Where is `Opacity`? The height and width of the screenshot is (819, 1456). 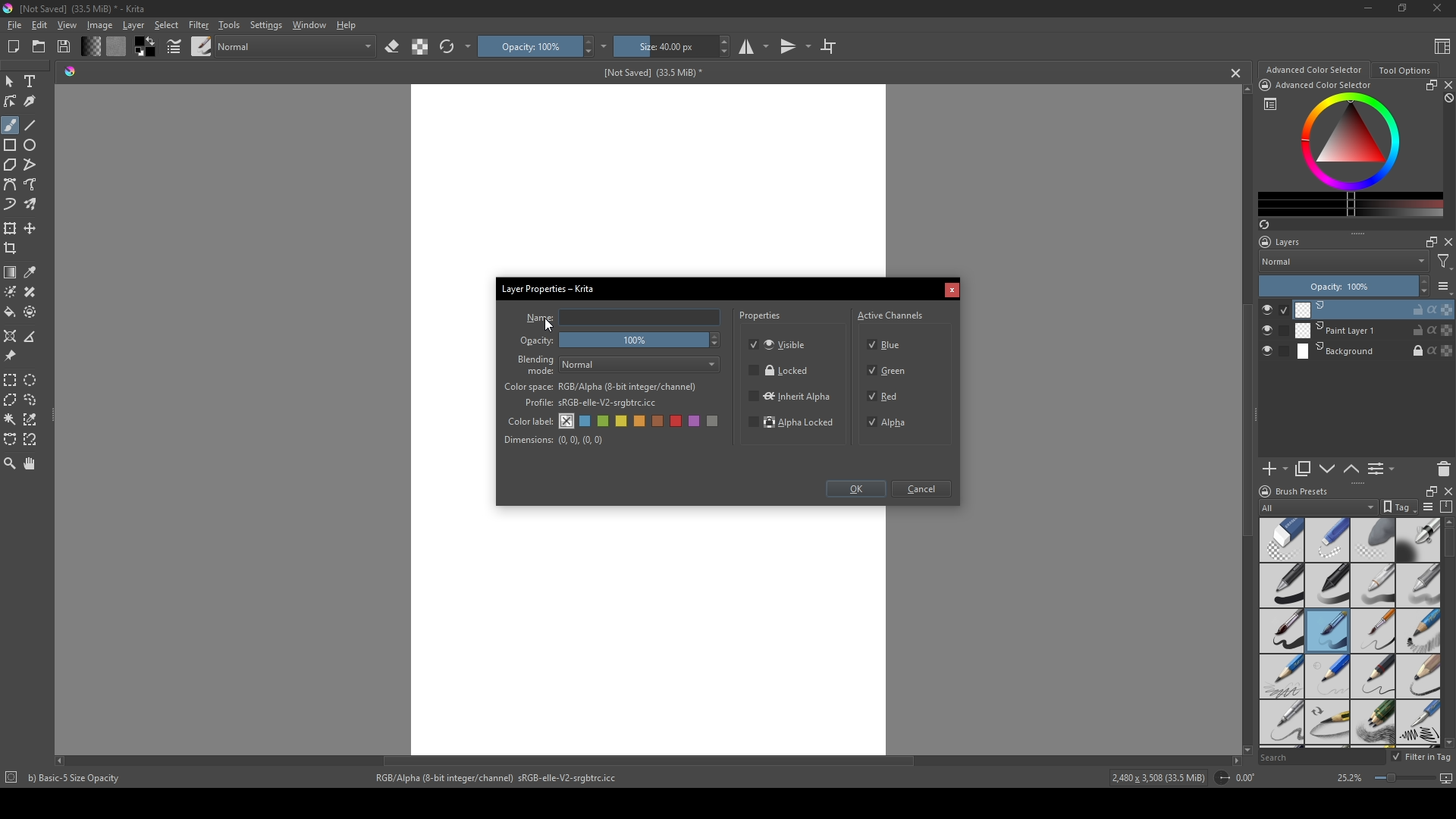
Opacity is located at coordinates (529, 46).